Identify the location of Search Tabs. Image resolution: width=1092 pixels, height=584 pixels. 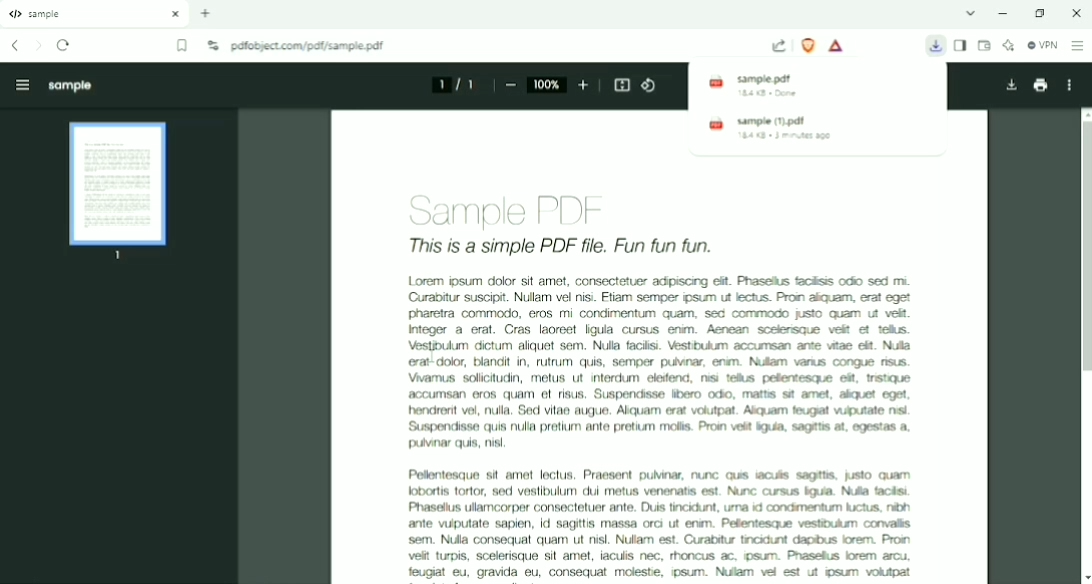
(971, 13).